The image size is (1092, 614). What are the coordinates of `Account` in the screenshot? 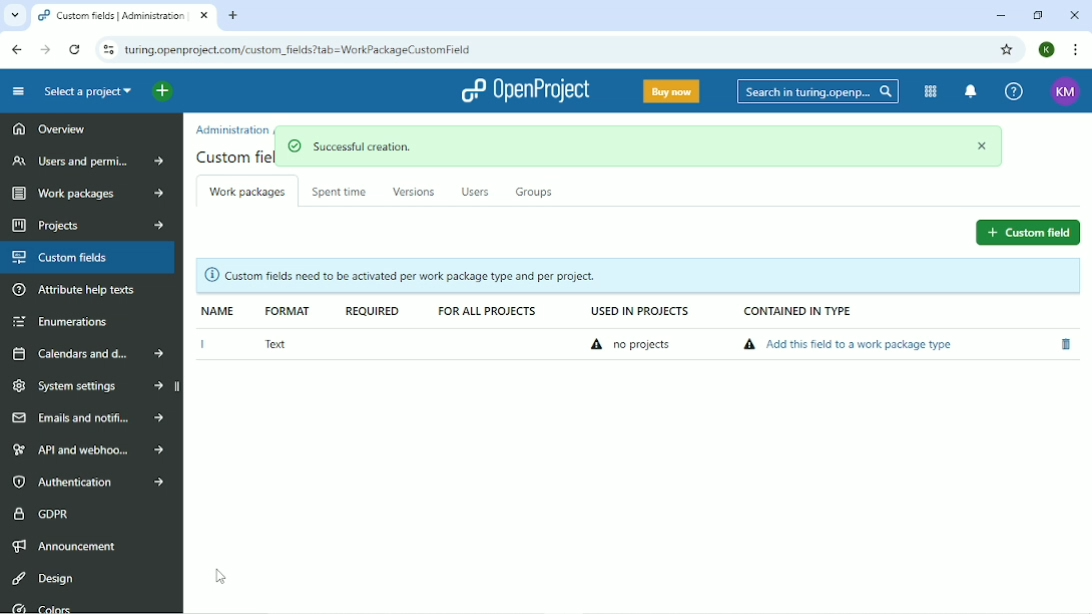 It's located at (1063, 90).